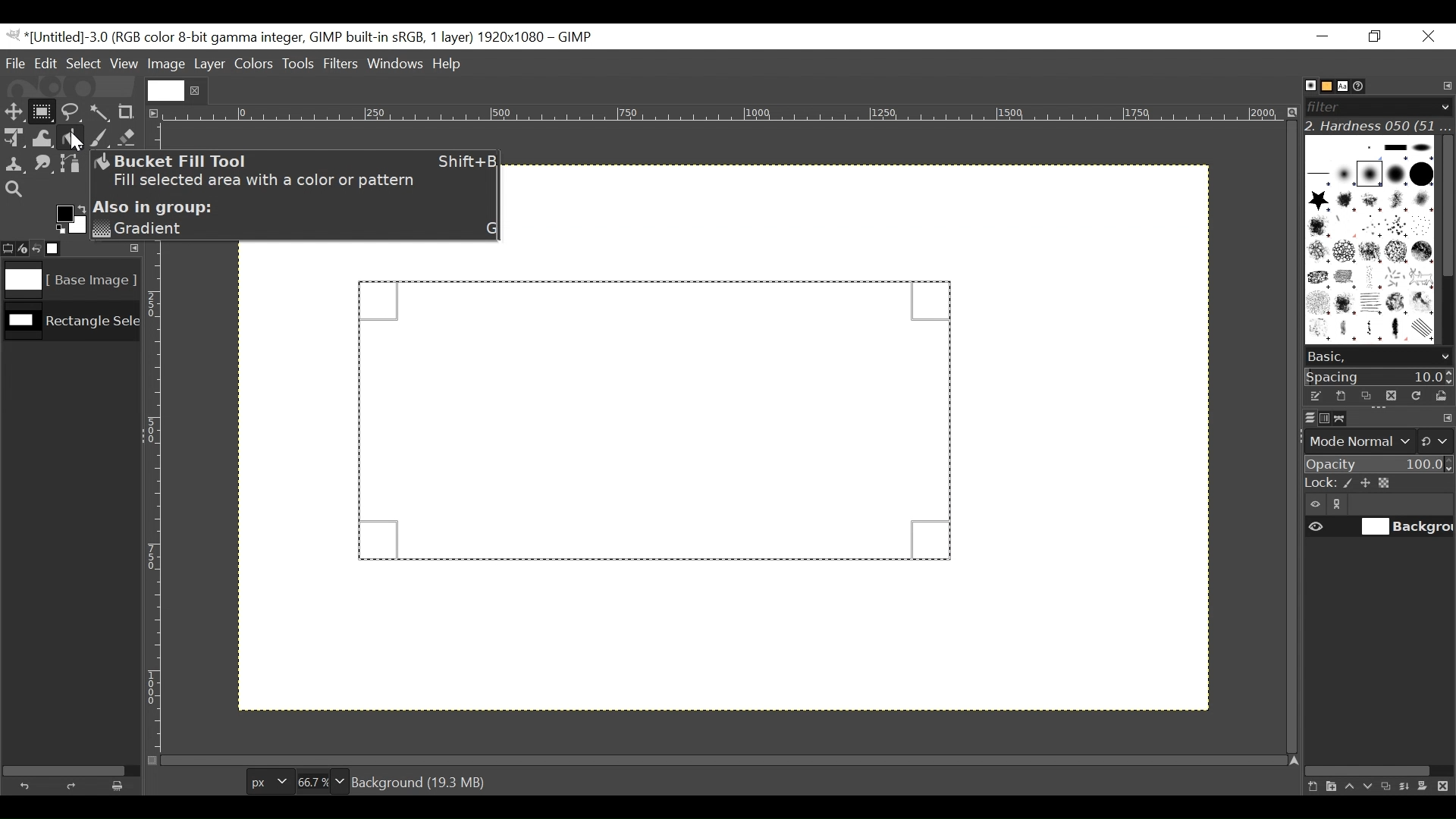 The image size is (1456, 819). I want to click on Pixels, so click(266, 779).